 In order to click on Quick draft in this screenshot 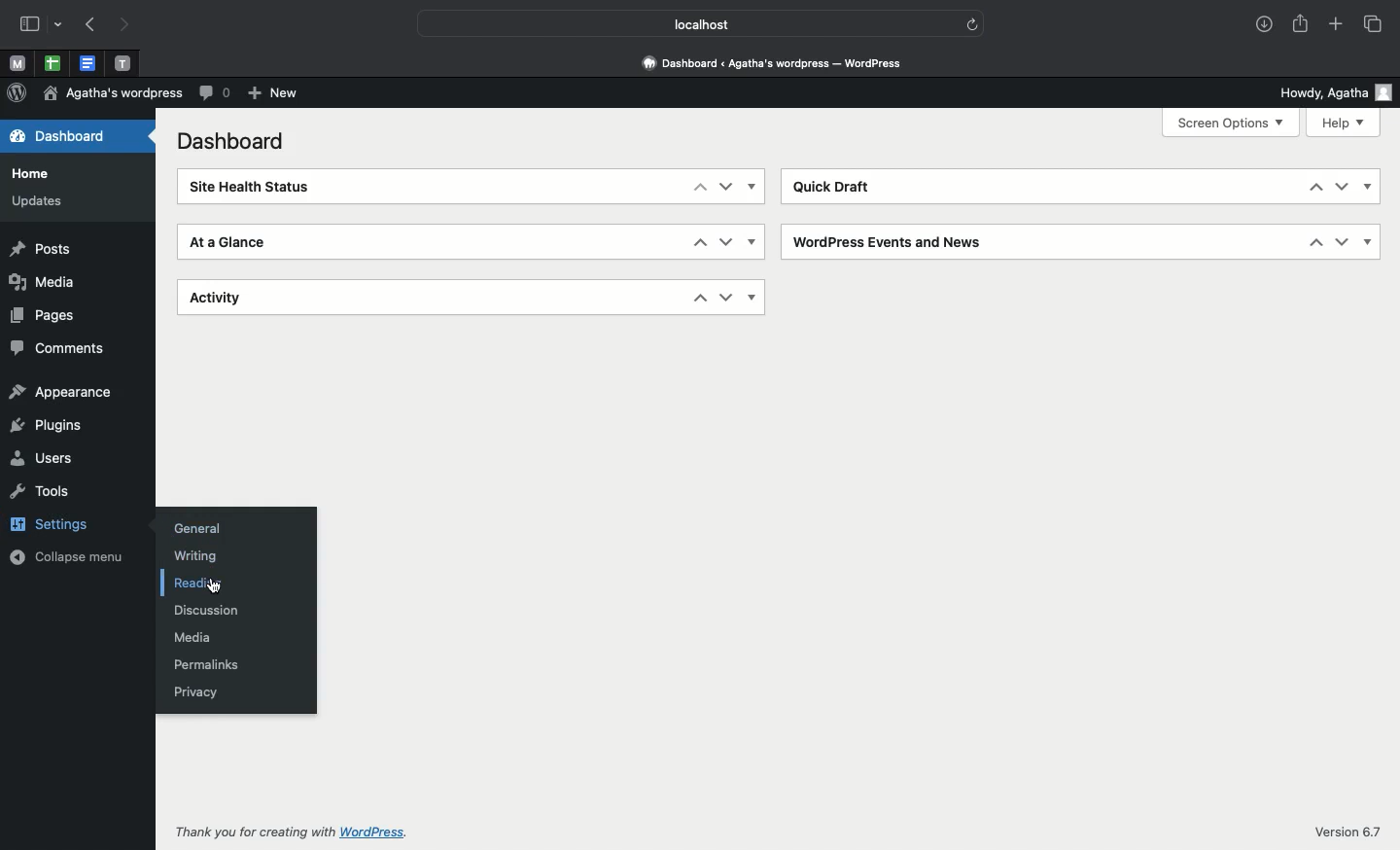, I will do `click(833, 185)`.